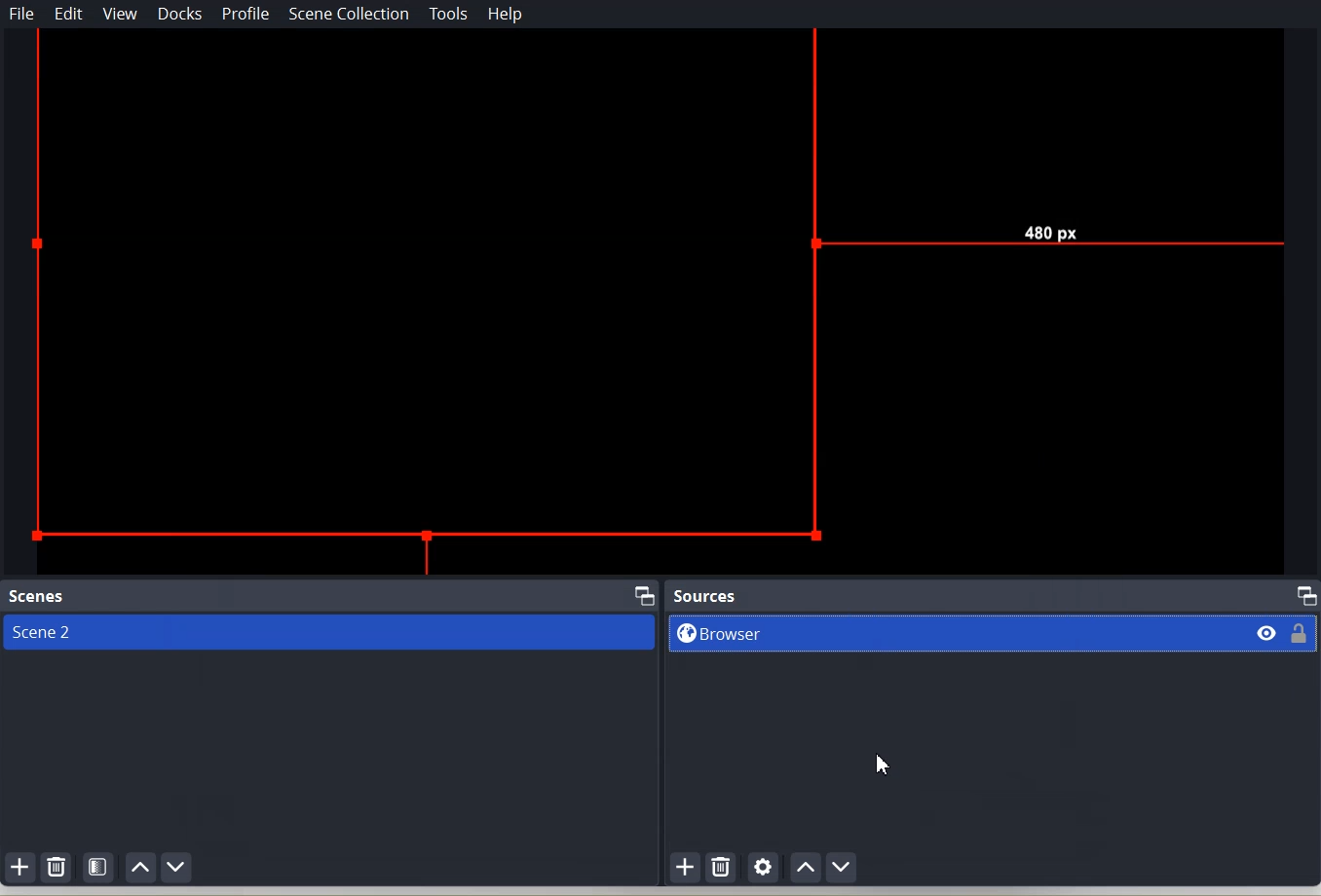 The height and width of the screenshot is (896, 1321). Describe the element at coordinates (706, 594) in the screenshot. I see `sources` at that location.